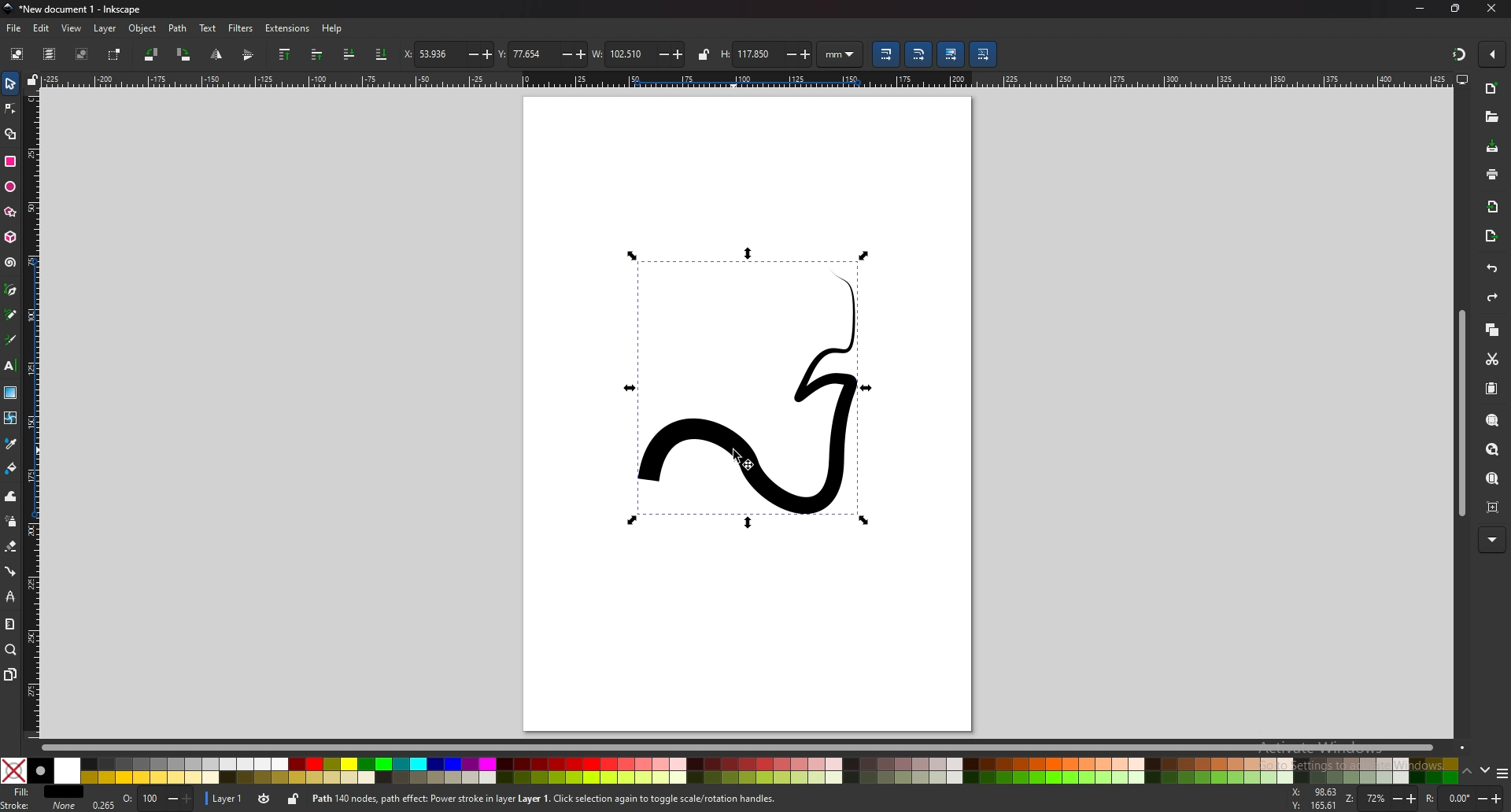  I want to click on move gradient, so click(950, 54).